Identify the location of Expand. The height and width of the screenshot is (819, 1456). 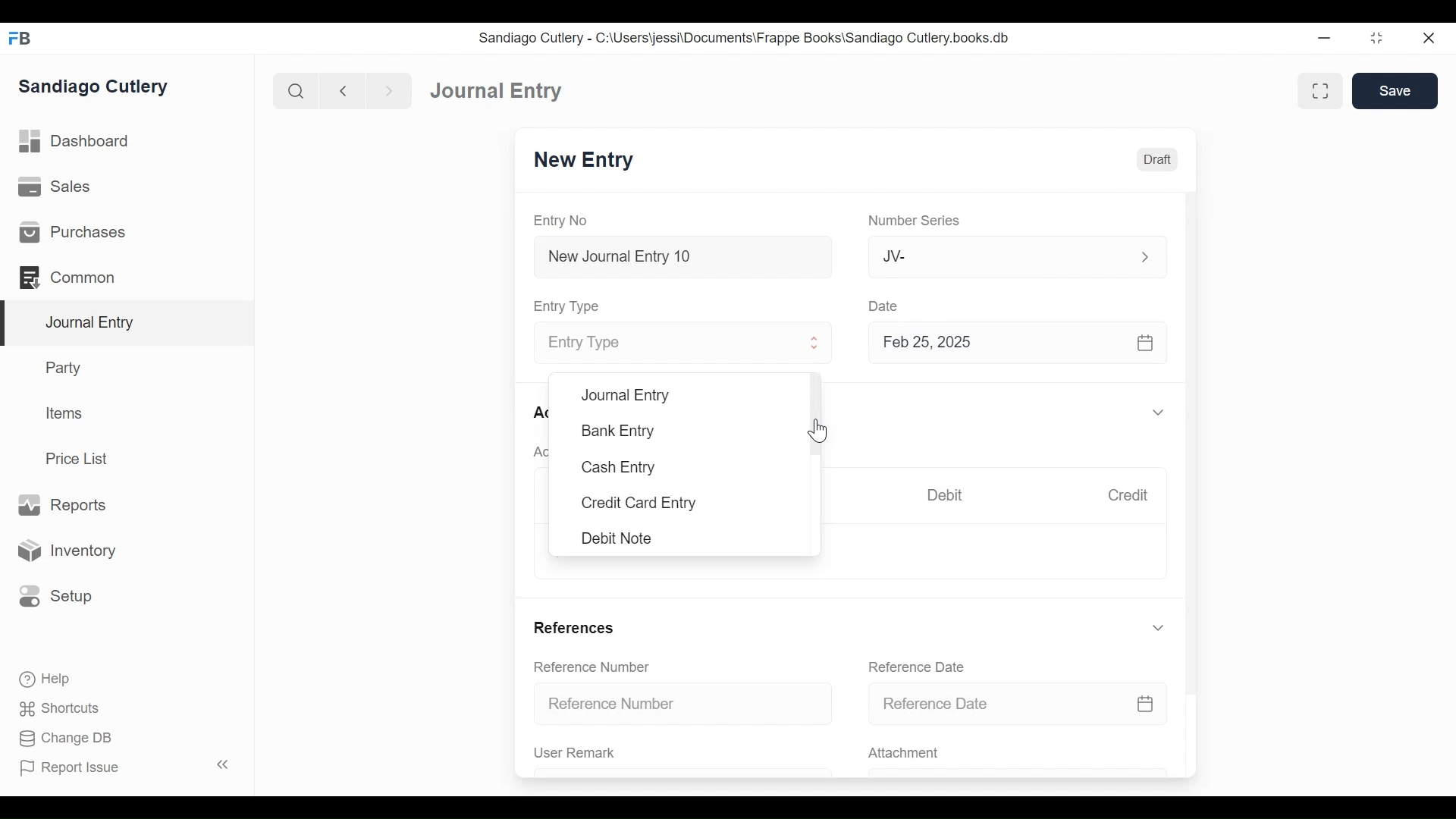
(1144, 256).